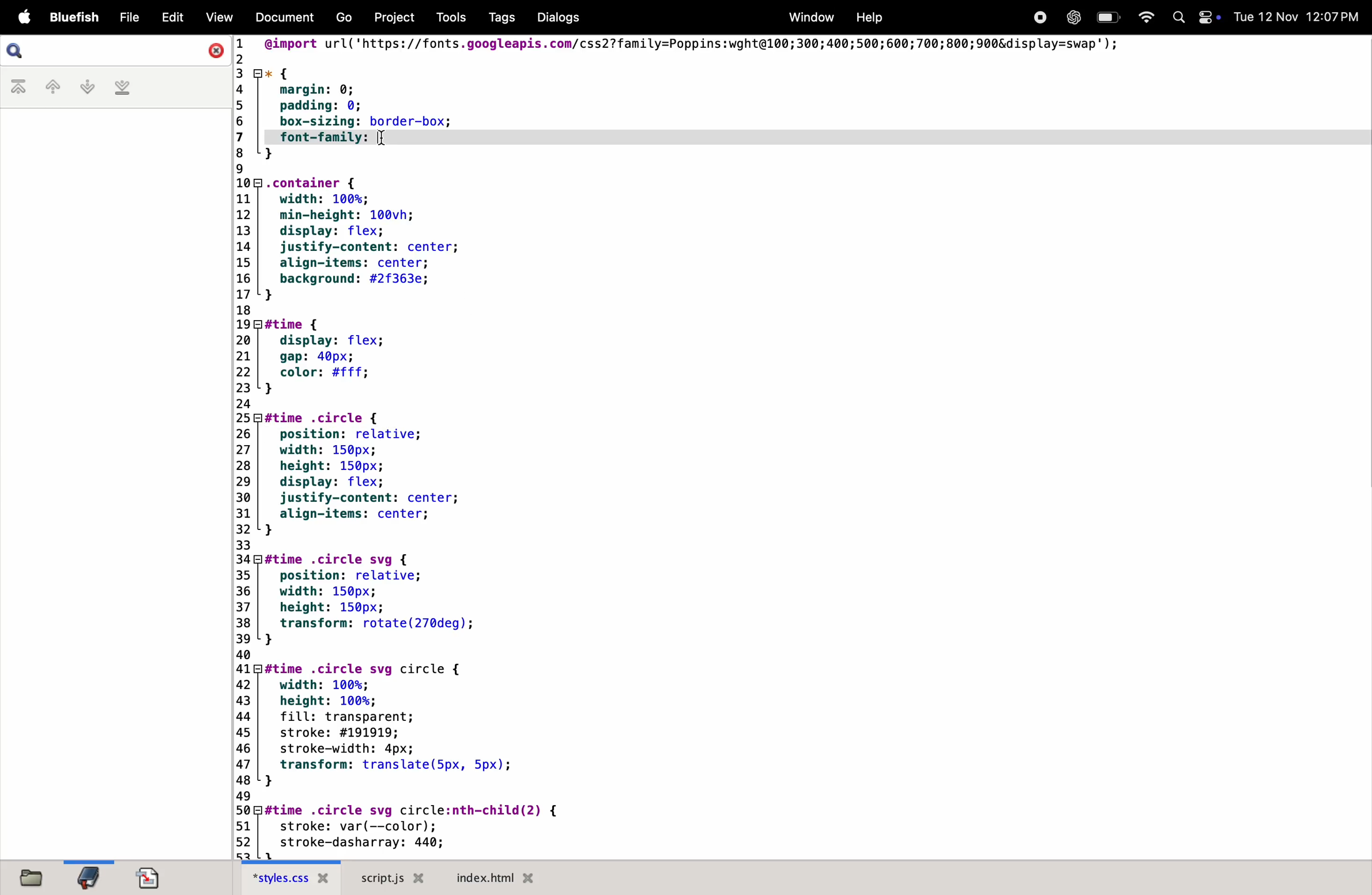 The height and width of the screenshot is (895, 1372). What do you see at coordinates (284, 19) in the screenshot?
I see `document` at bounding box center [284, 19].